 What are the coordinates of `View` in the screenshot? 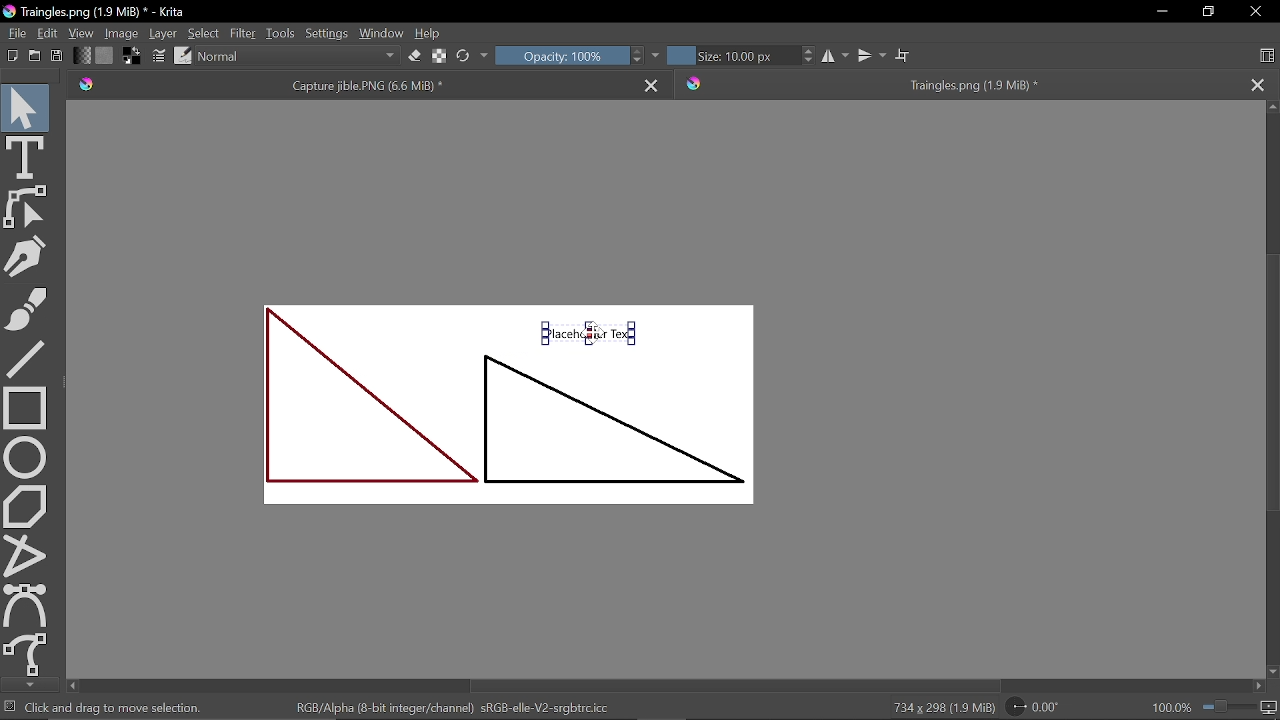 It's located at (82, 32).